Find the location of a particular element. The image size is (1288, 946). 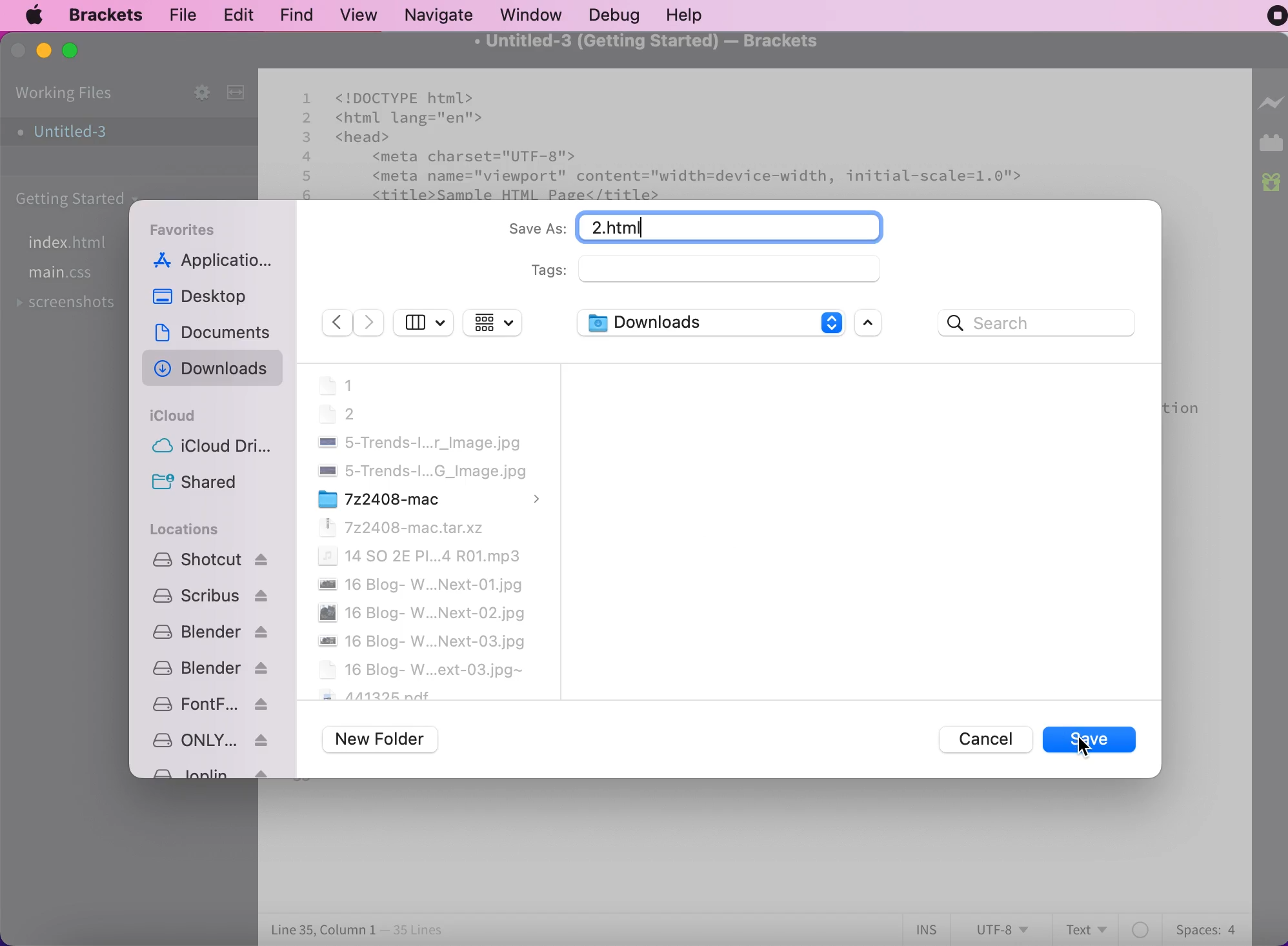

utf-8 is located at coordinates (1004, 928).